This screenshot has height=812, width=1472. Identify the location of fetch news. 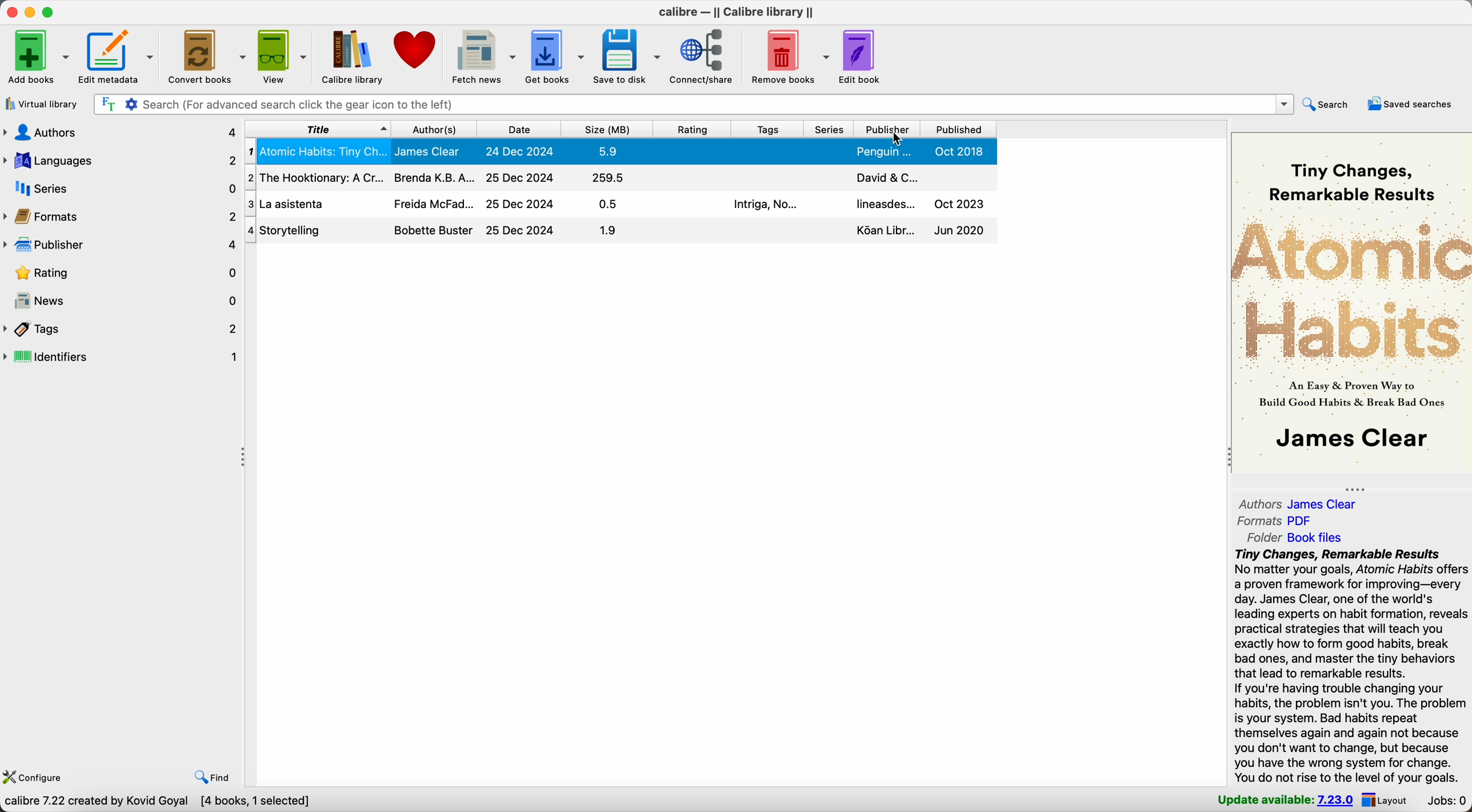
(484, 56).